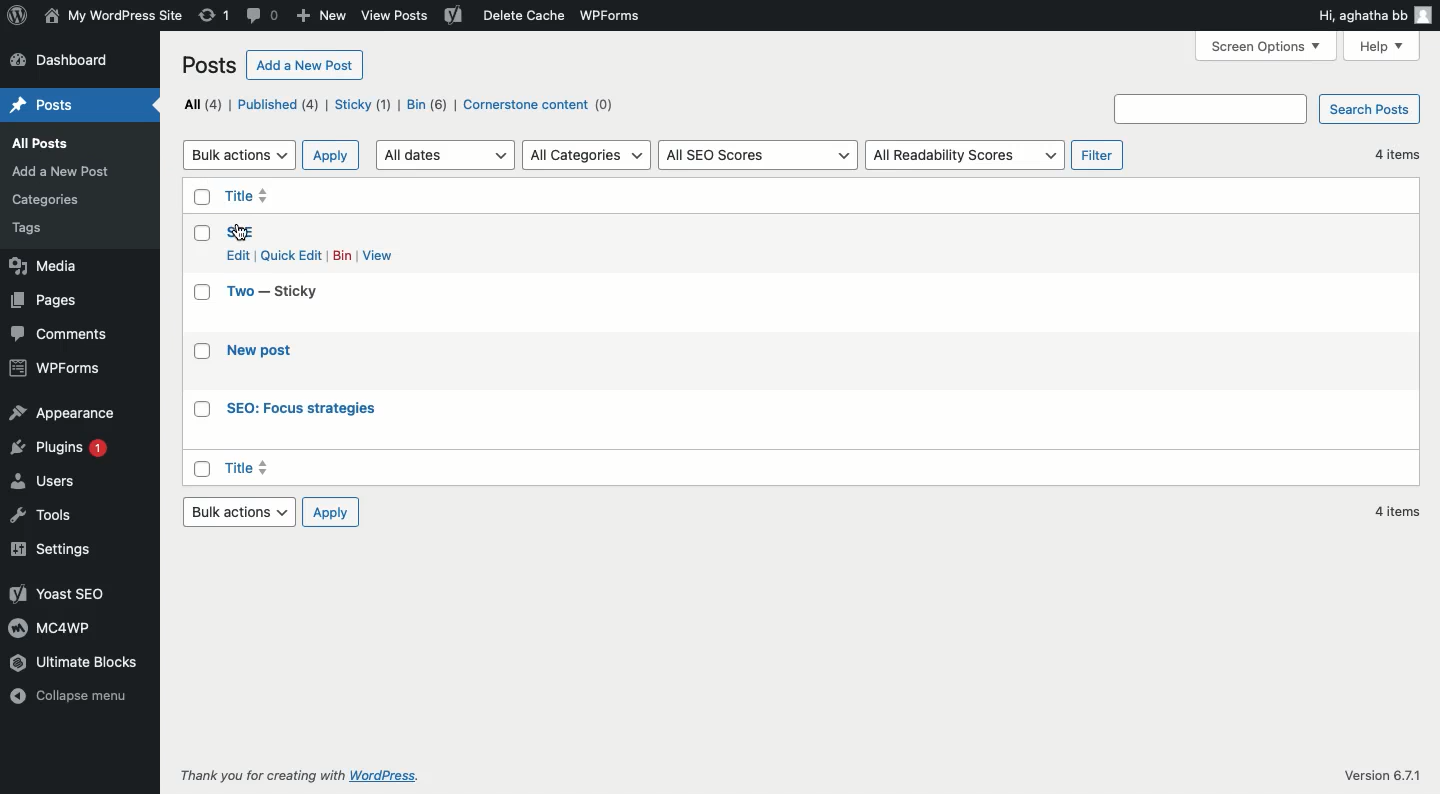  I want to click on Bulk actions, so click(238, 156).